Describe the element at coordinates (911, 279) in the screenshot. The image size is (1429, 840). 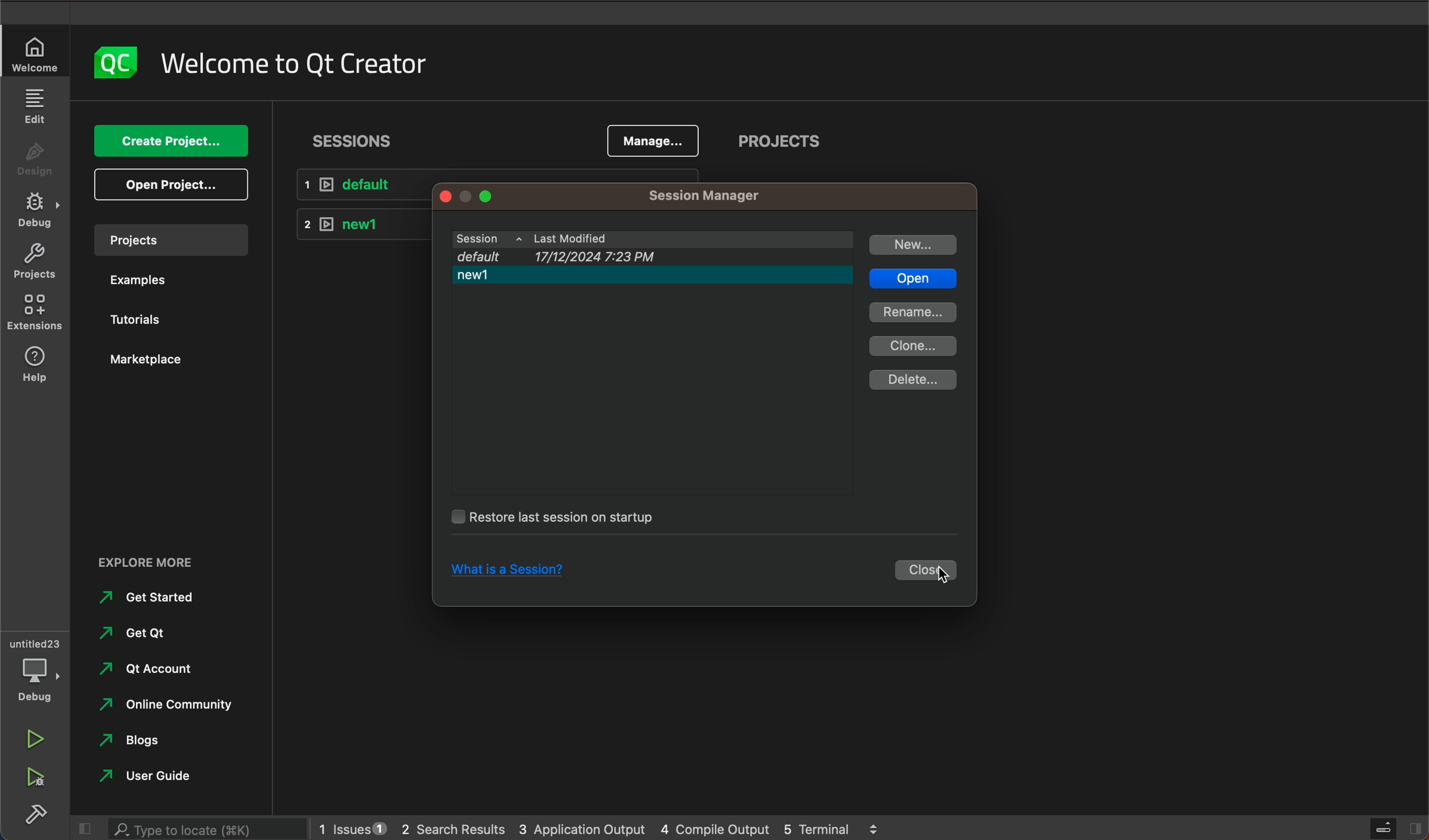
I see `open` at that location.